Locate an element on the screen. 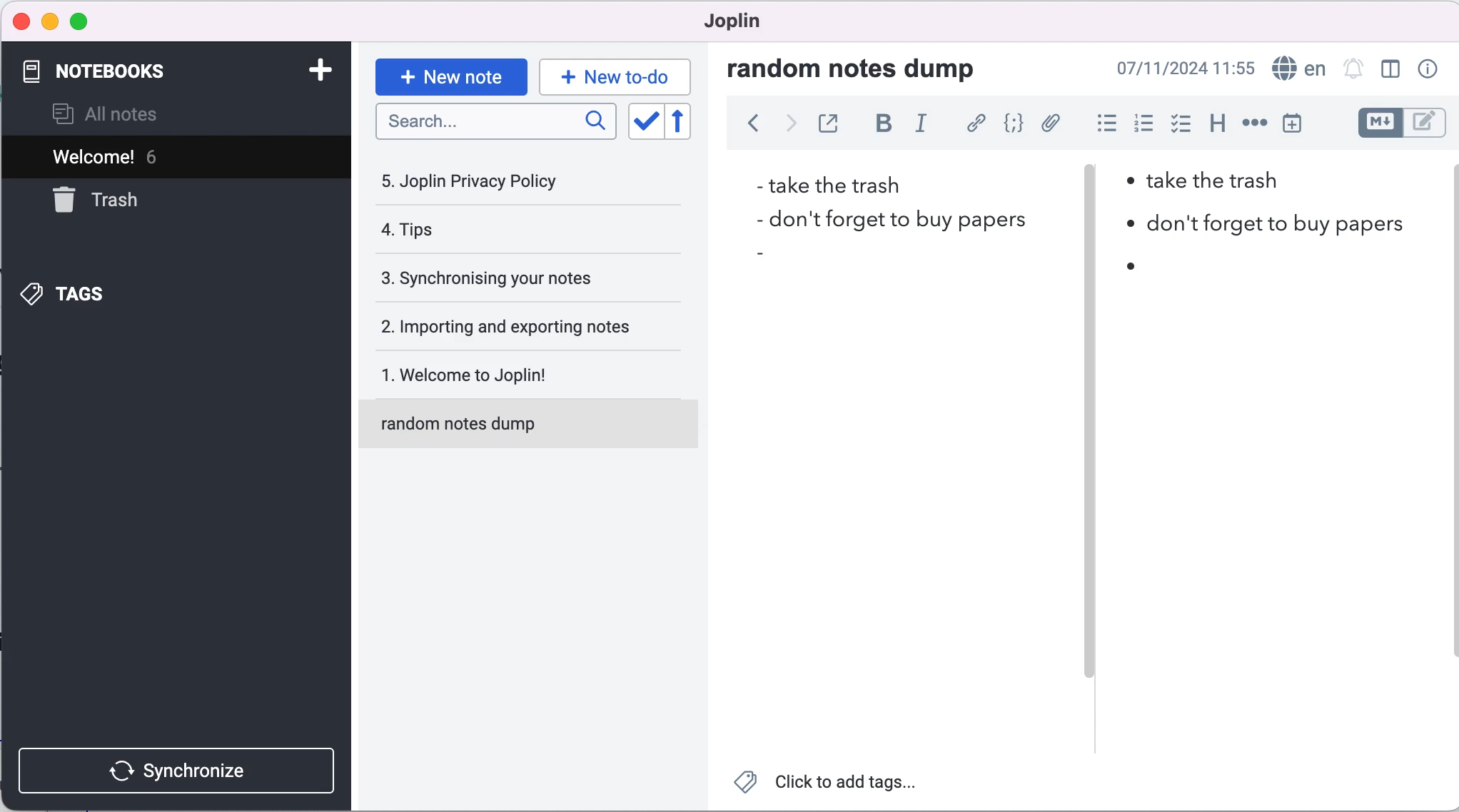 The width and height of the screenshot is (1459, 812). take the trash is located at coordinates (832, 184).